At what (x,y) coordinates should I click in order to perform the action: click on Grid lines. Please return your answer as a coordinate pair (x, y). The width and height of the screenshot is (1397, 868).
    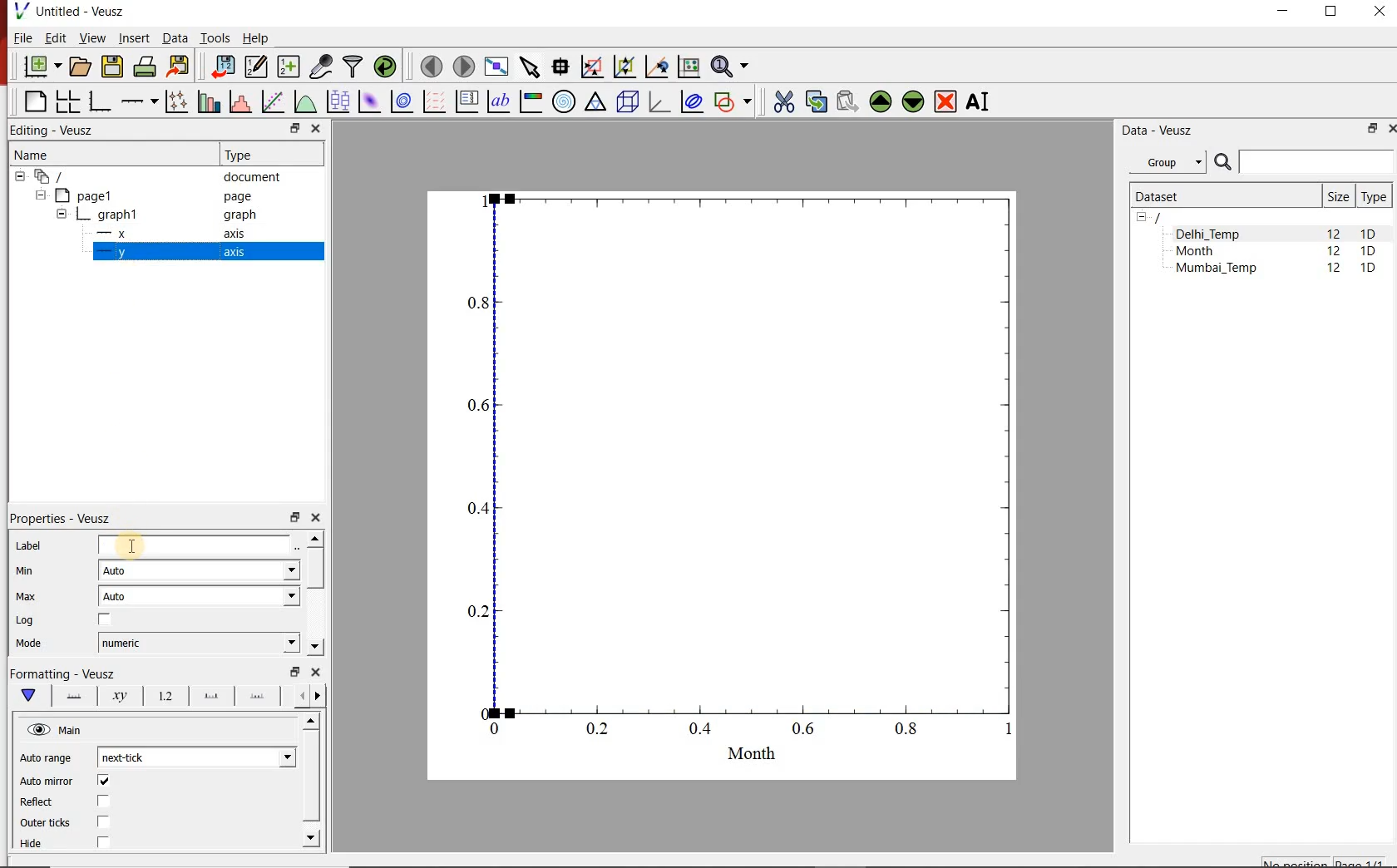
    Looking at the image, I should click on (310, 698).